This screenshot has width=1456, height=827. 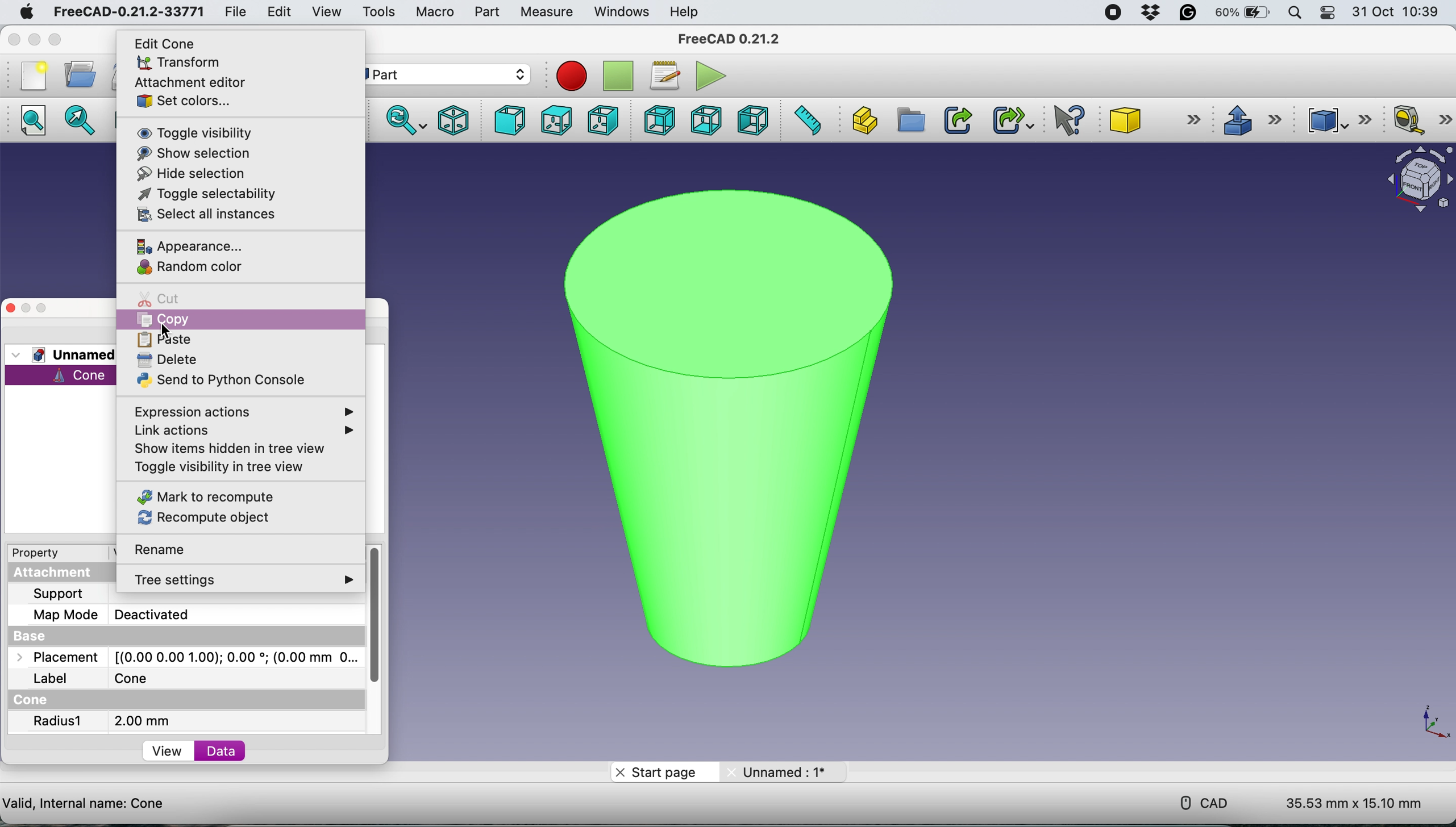 What do you see at coordinates (703, 119) in the screenshot?
I see `bottom` at bounding box center [703, 119].